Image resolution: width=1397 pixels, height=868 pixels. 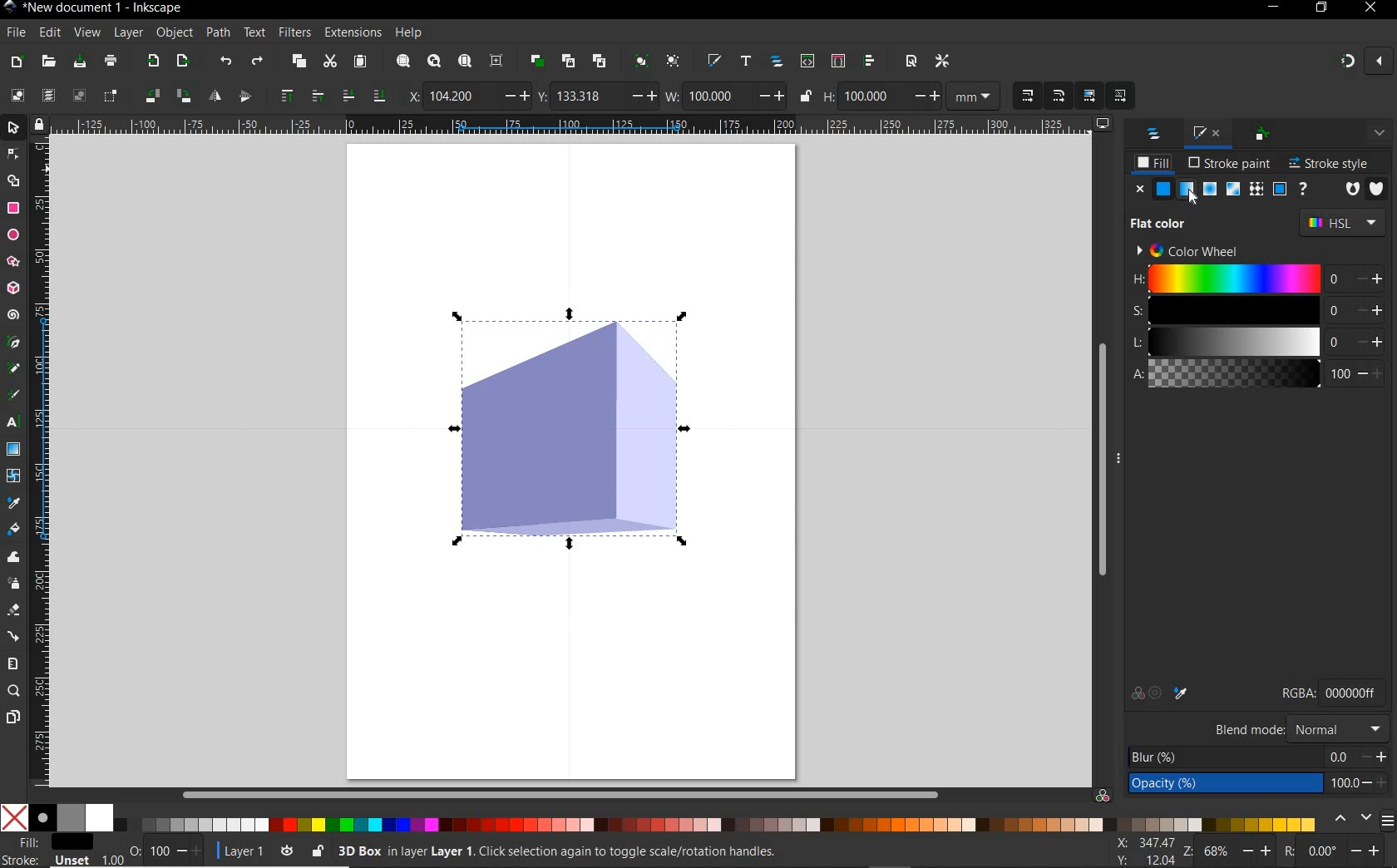 What do you see at coordinates (49, 851) in the screenshot?
I see `FILL AND STROKE` at bounding box center [49, 851].